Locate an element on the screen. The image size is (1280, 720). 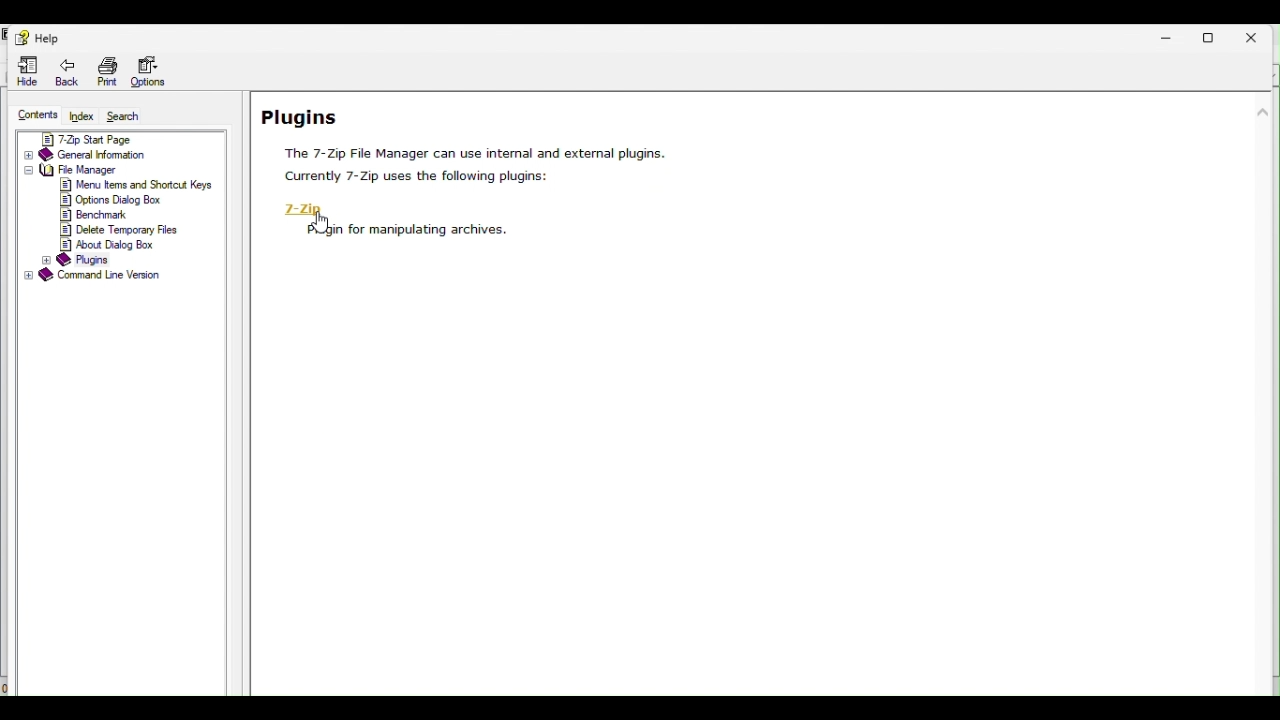
File Manager content is located at coordinates (85, 170).